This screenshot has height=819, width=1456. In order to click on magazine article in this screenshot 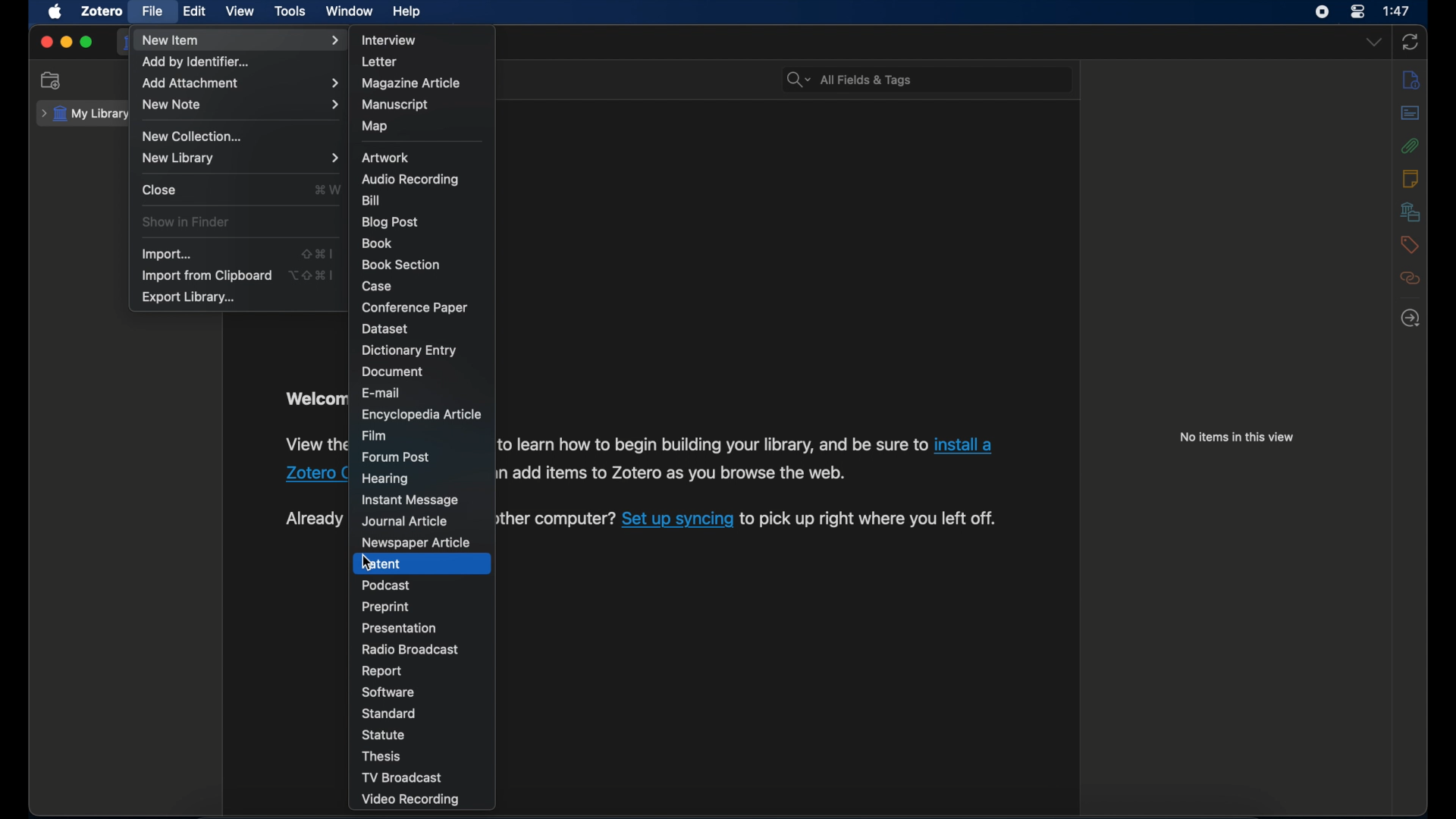, I will do `click(413, 83)`.